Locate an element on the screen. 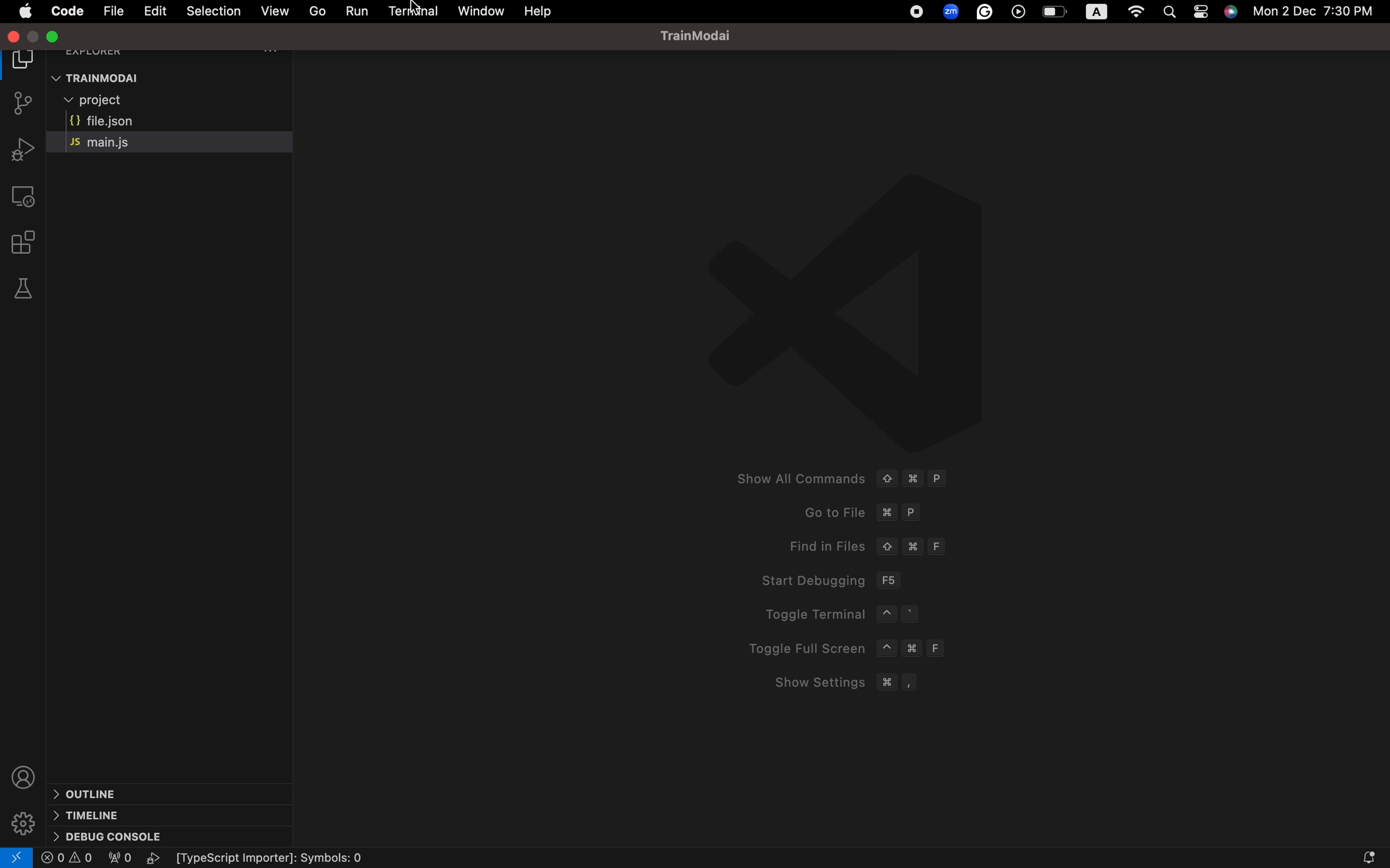 This screenshot has height=868, width=1390. Toggle Terminal is located at coordinates (858, 615).